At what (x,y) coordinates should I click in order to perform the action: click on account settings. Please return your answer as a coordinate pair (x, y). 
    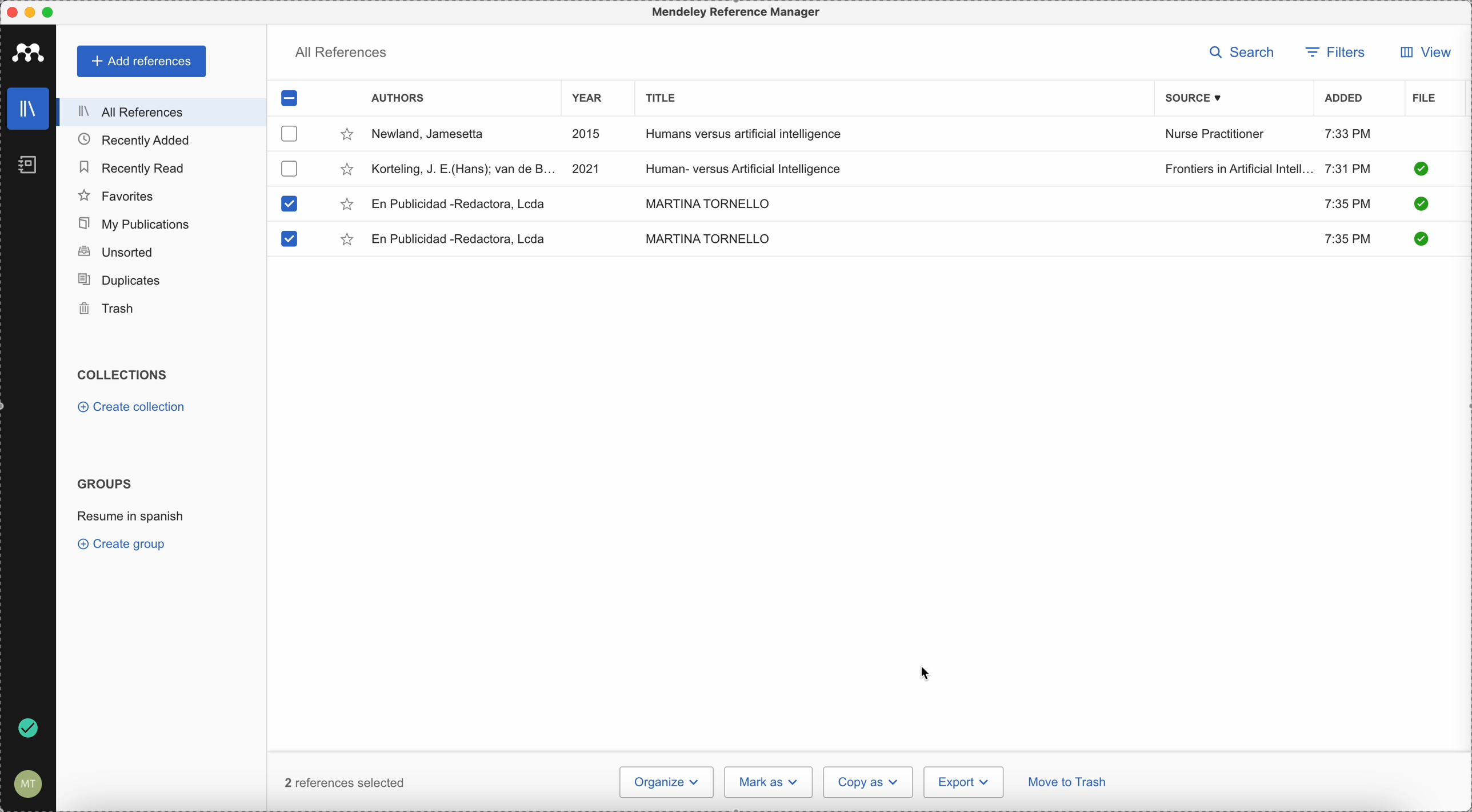
    Looking at the image, I should click on (26, 785).